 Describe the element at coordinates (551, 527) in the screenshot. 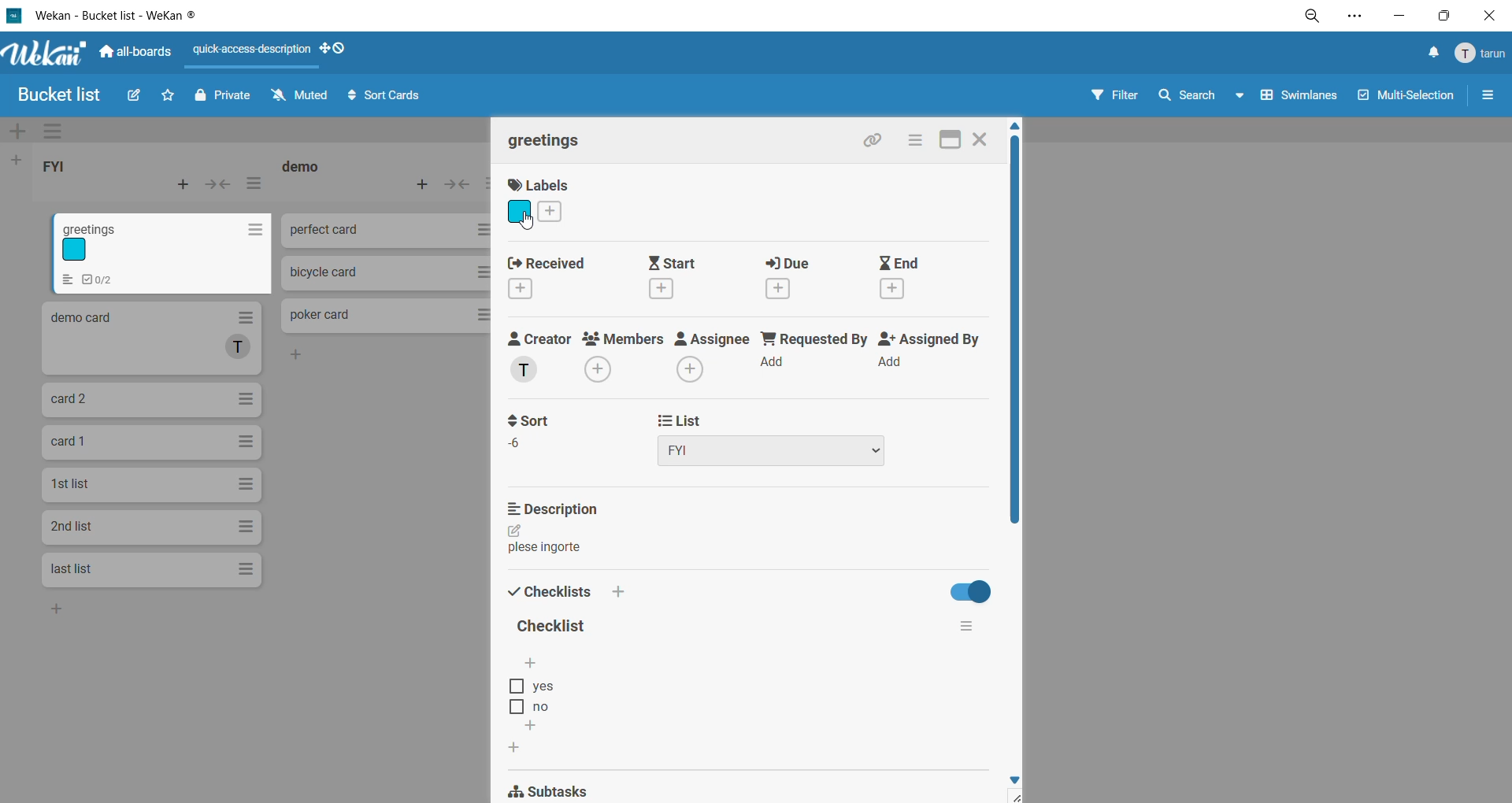

I see `description` at that location.